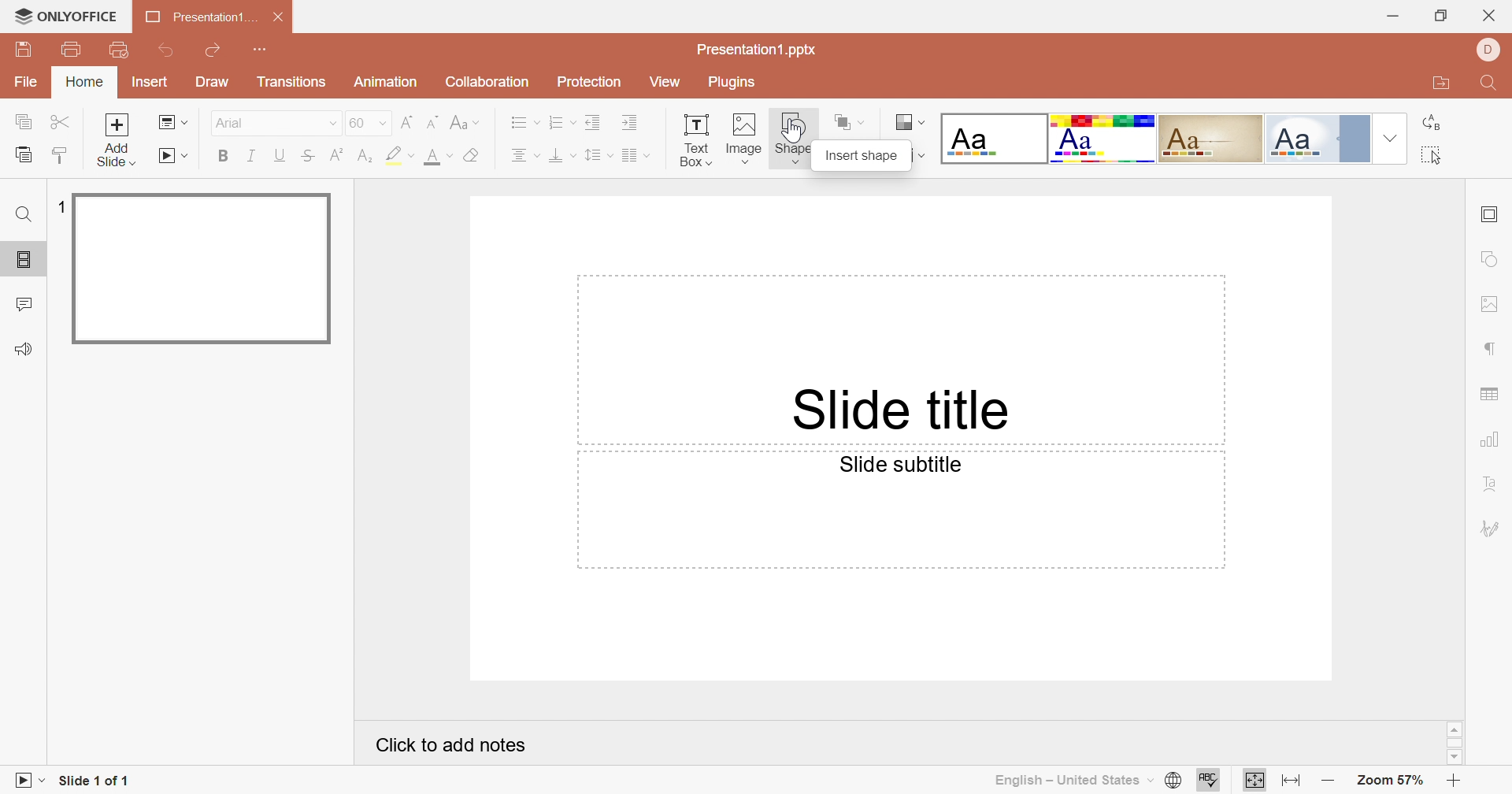 The image size is (1512, 794). What do you see at coordinates (1441, 80) in the screenshot?
I see `Open file location` at bounding box center [1441, 80].